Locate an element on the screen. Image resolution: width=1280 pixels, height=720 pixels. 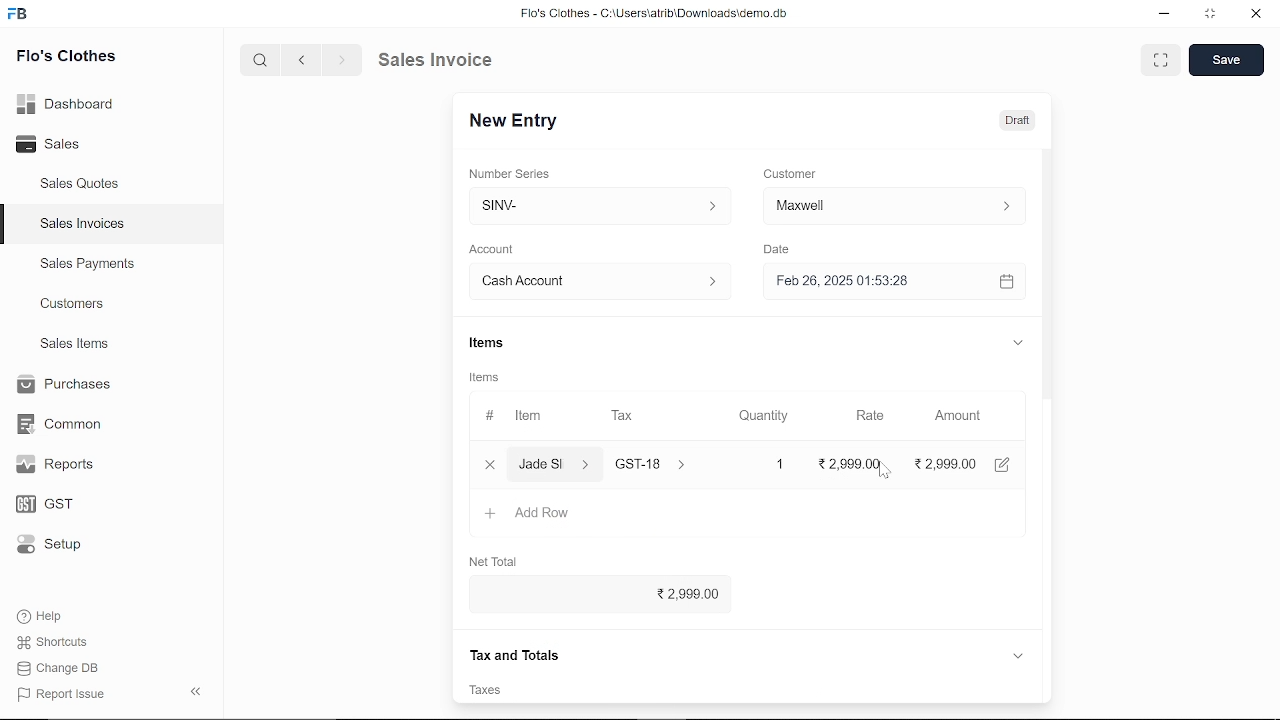
expand is located at coordinates (1018, 654).